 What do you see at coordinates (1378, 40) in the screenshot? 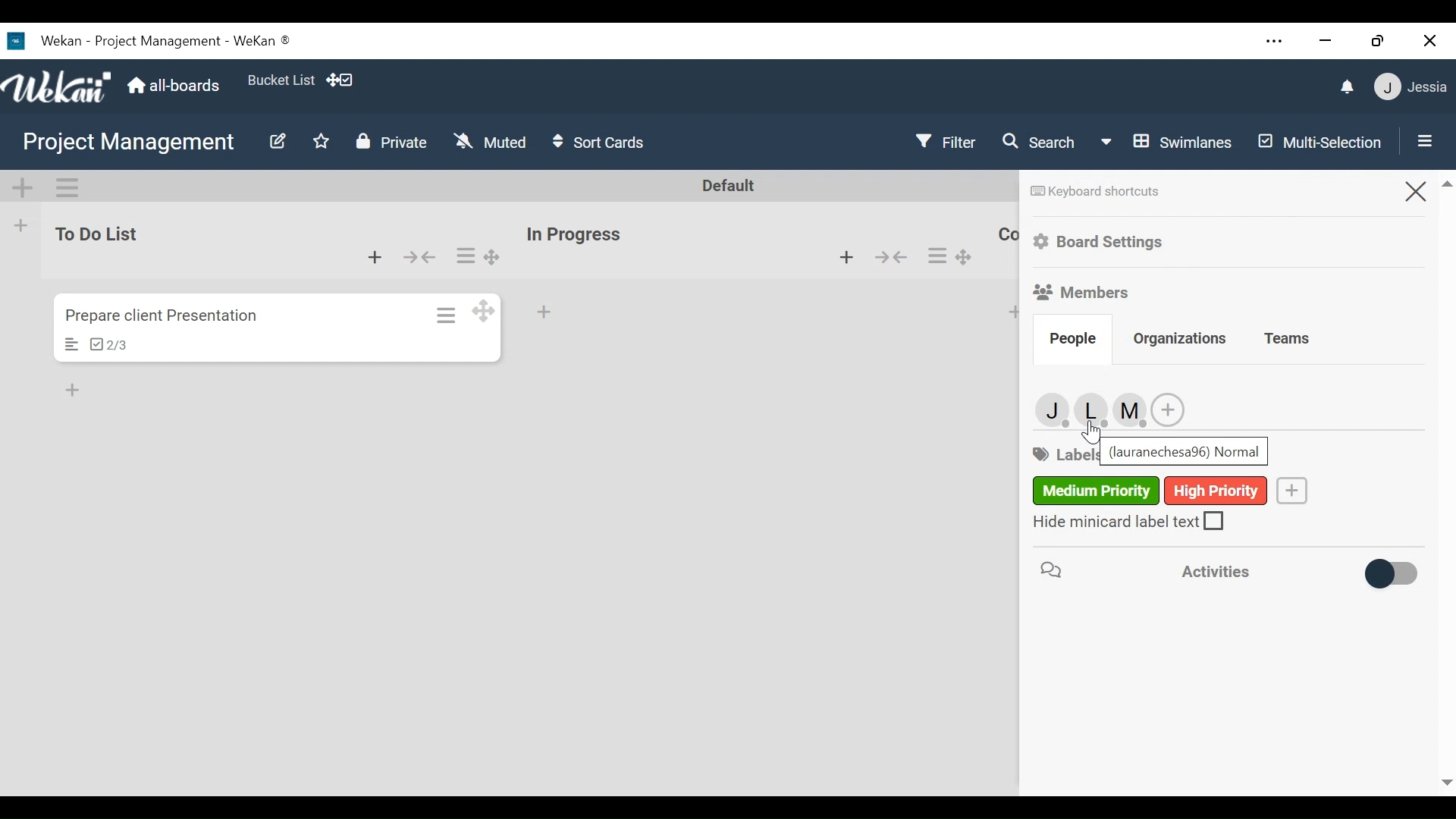
I see `Restore` at bounding box center [1378, 40].